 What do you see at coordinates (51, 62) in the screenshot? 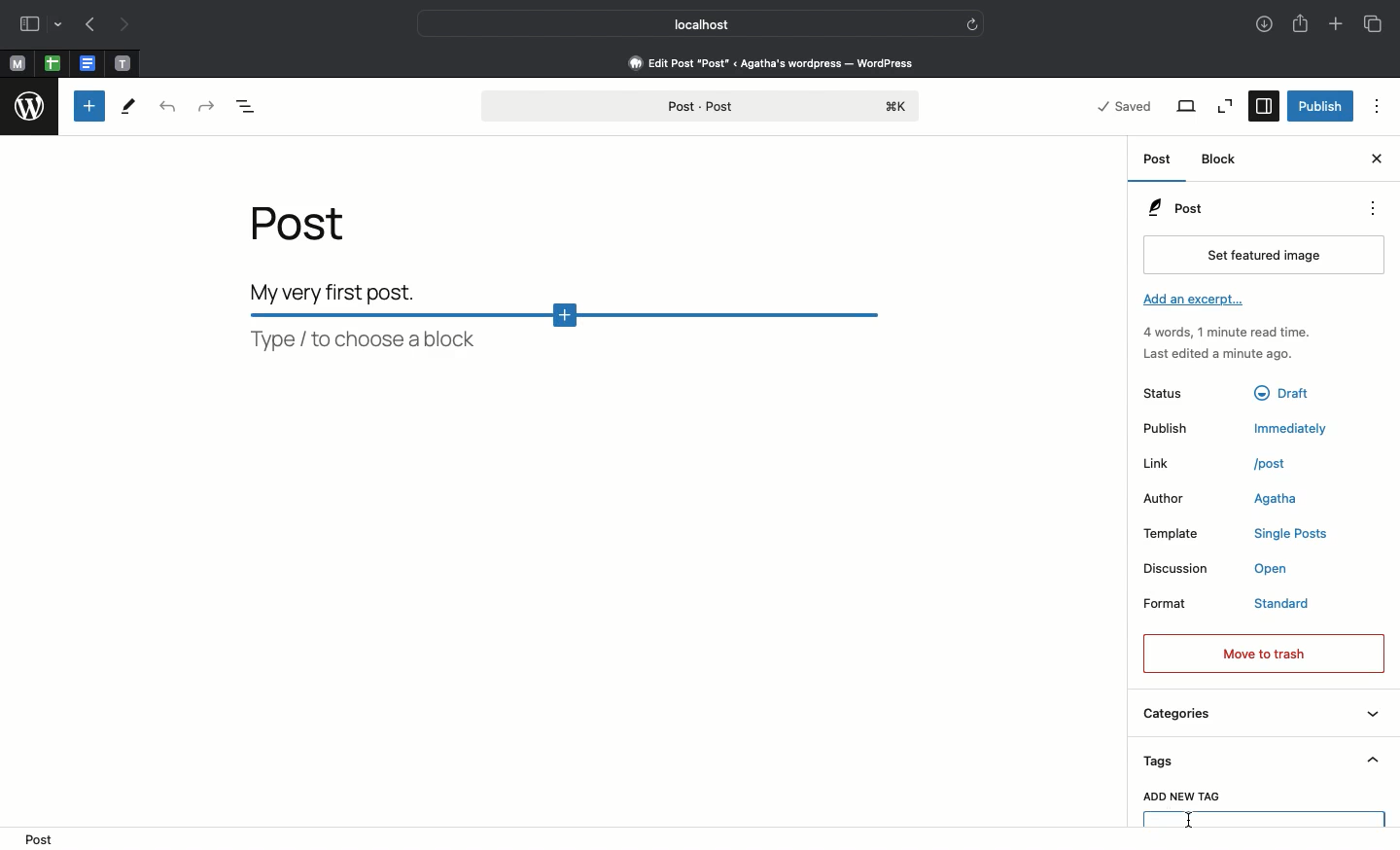
I see `Pinned tabs` at bounding box center [51, 62].